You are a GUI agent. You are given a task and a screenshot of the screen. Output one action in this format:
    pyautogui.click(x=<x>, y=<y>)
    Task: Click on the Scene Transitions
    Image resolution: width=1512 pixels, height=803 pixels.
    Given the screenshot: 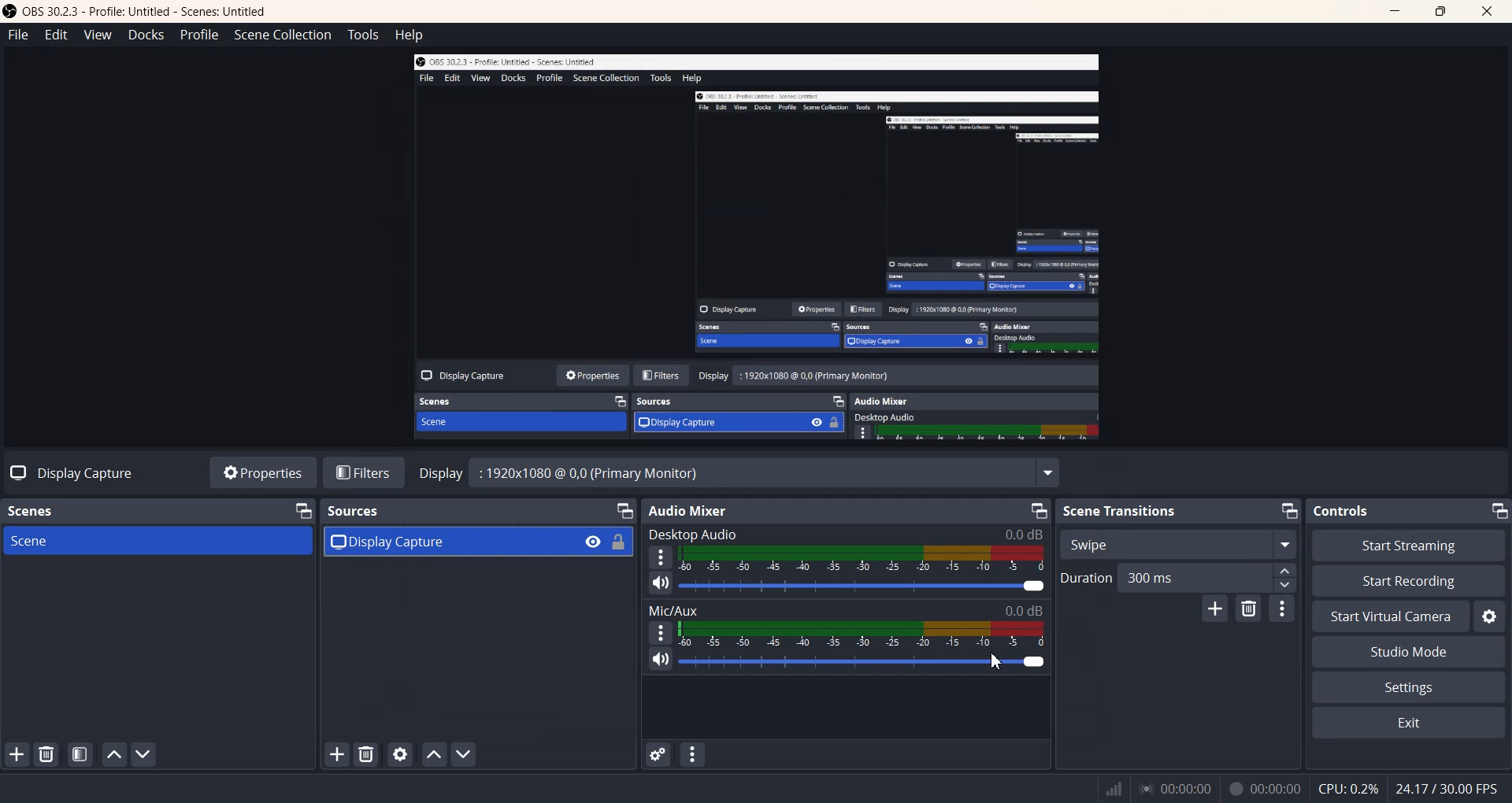 What is the action you would take?
    pyautogui.click(x=1121, y=510)
    